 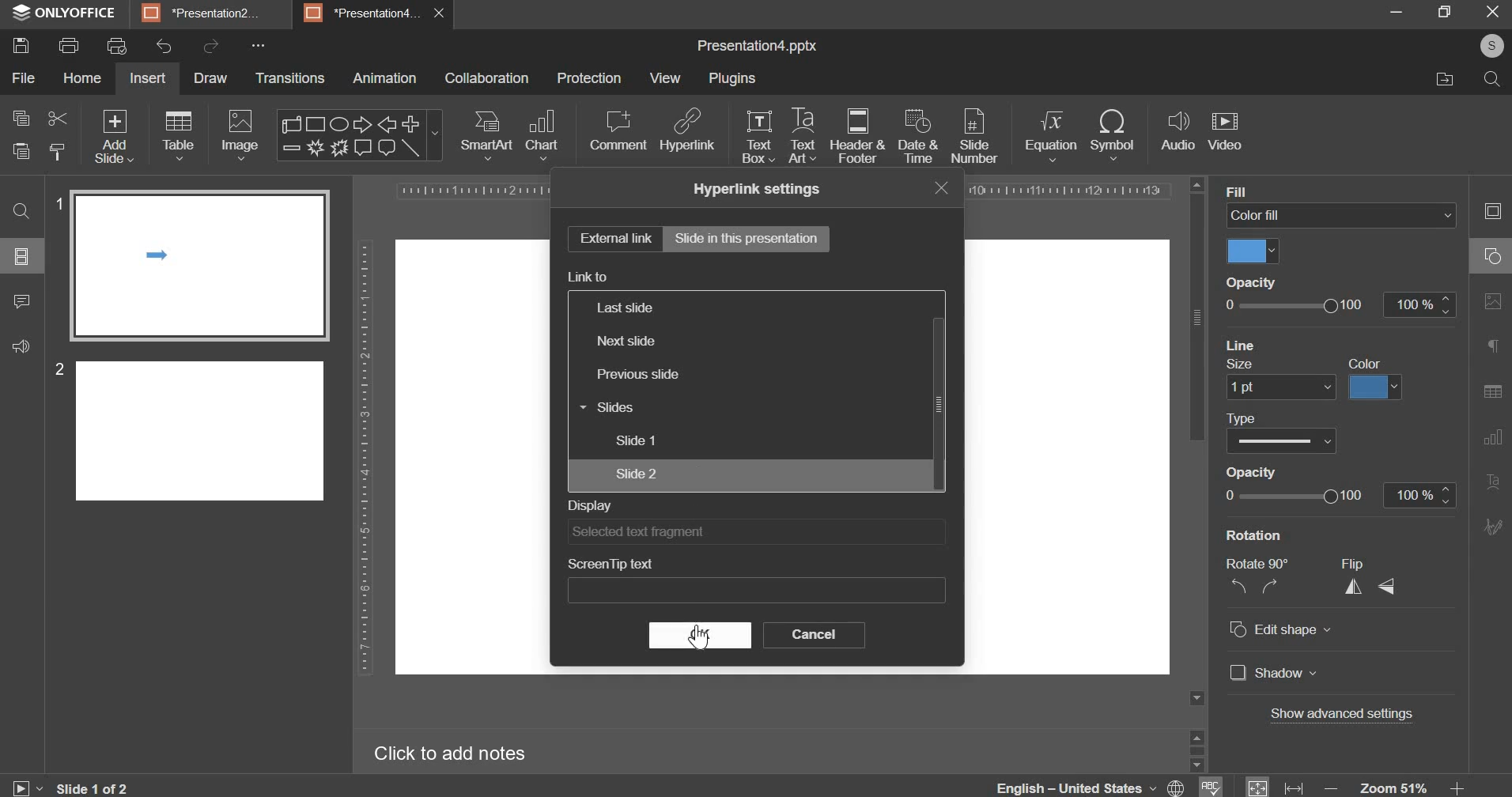 I want to click on chart, so click(x=542, y=136).